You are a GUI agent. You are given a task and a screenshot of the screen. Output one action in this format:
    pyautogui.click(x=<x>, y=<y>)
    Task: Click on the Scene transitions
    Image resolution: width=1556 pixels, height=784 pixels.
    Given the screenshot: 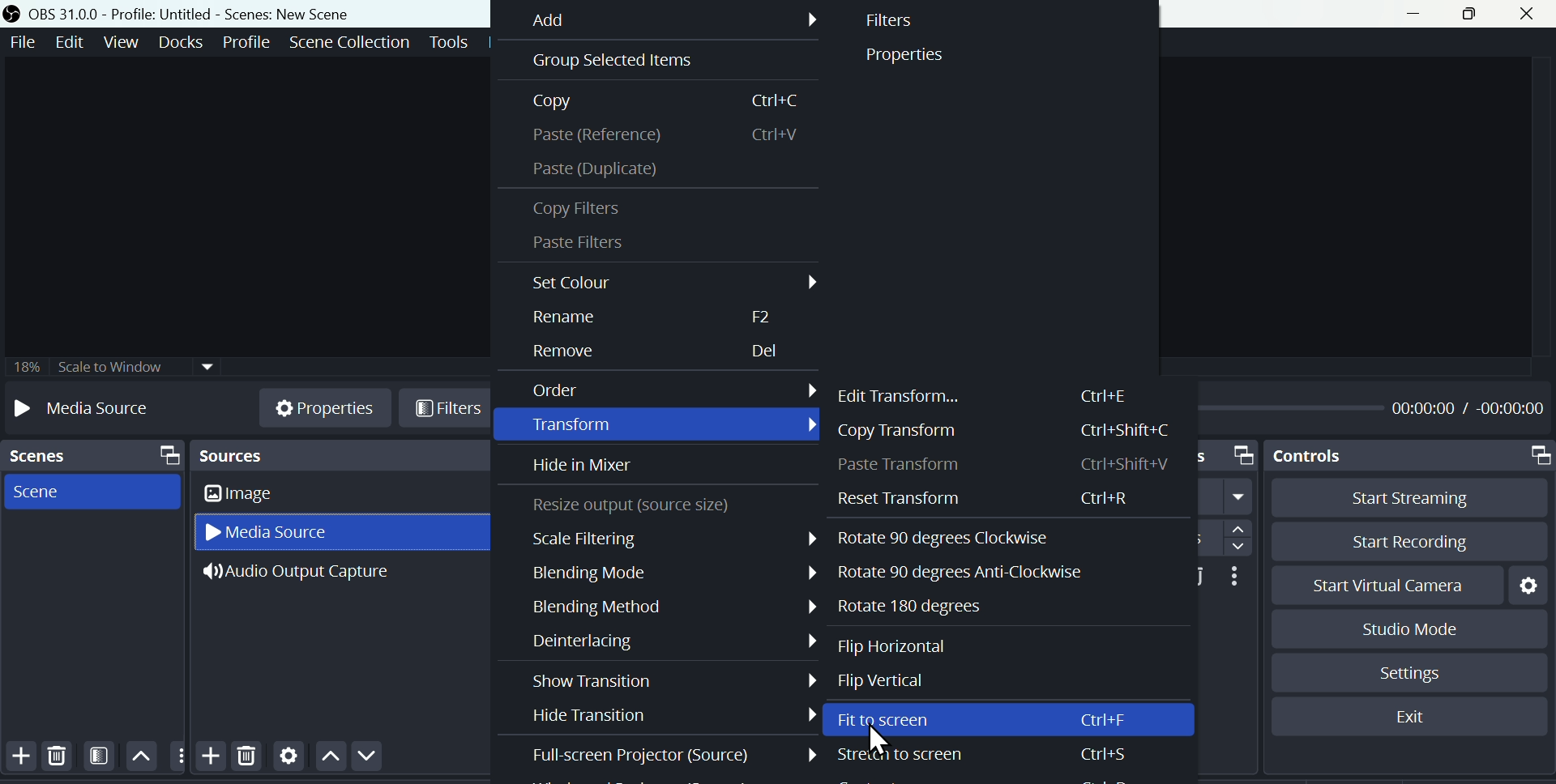 What is the action you would take?
    pyautogui.click(x=1236, y=454)
    